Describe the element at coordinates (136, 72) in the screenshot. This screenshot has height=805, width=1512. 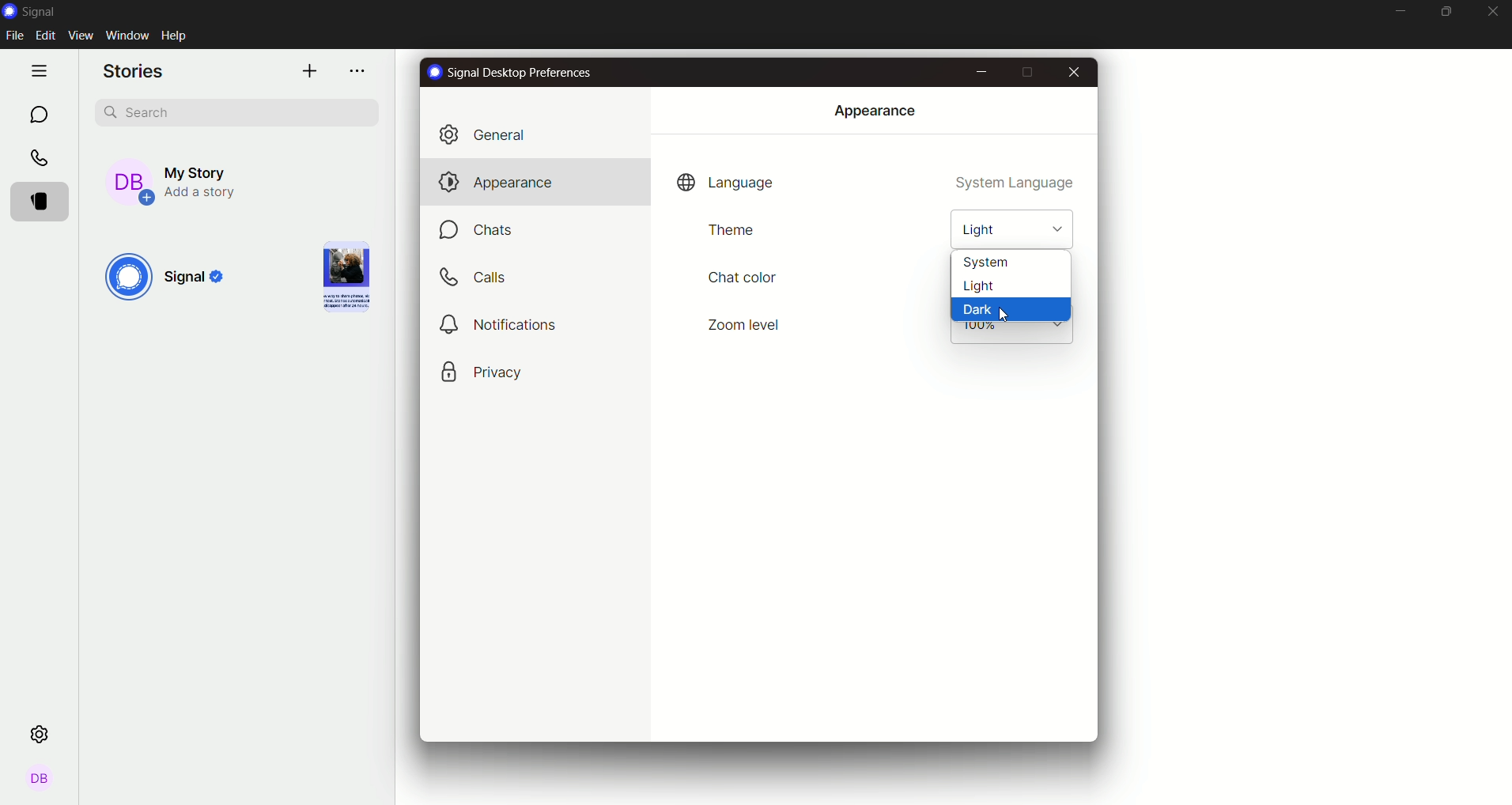
I see `stories` at that location.